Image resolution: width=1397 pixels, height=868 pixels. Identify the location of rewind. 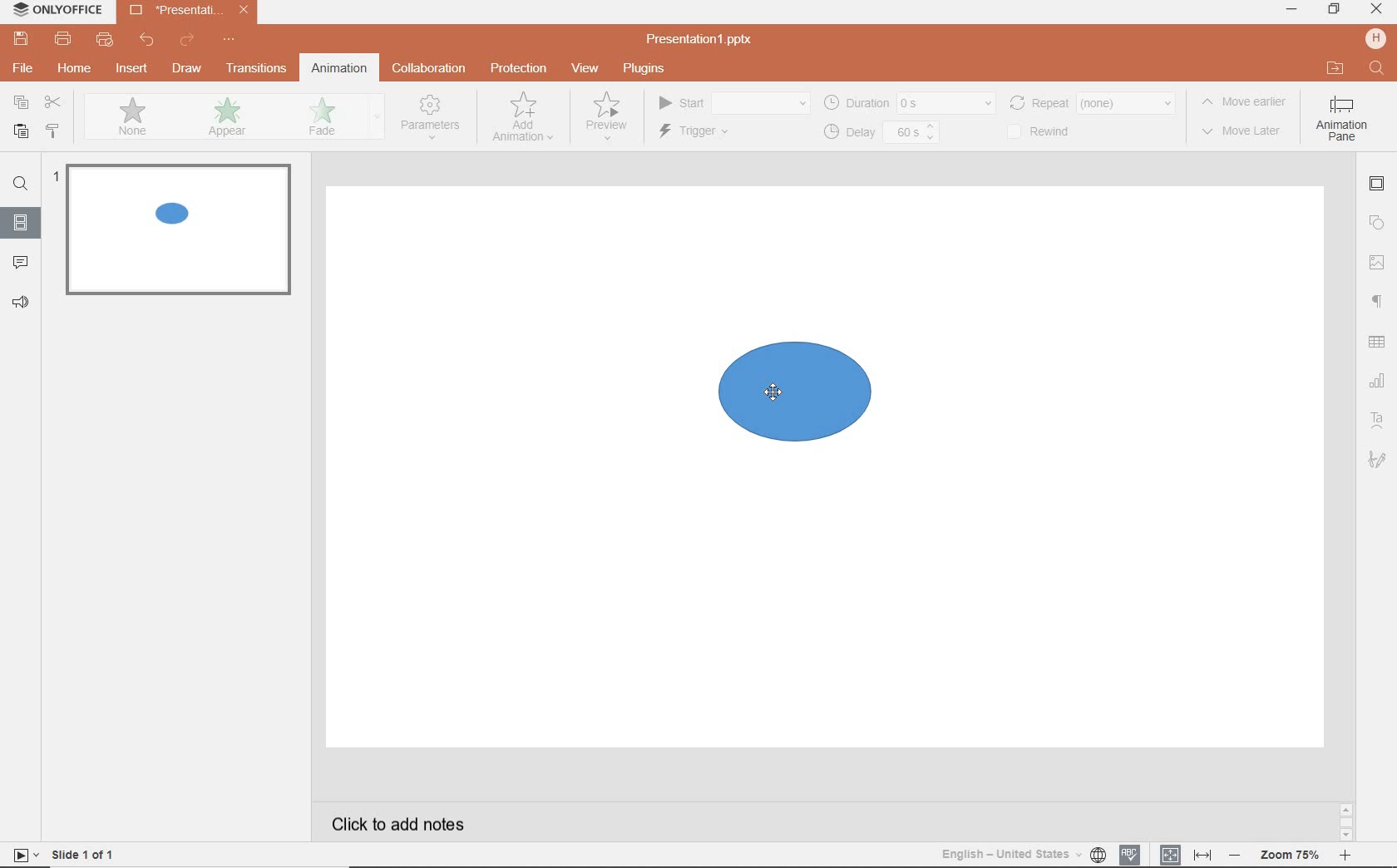
(1049, 132).